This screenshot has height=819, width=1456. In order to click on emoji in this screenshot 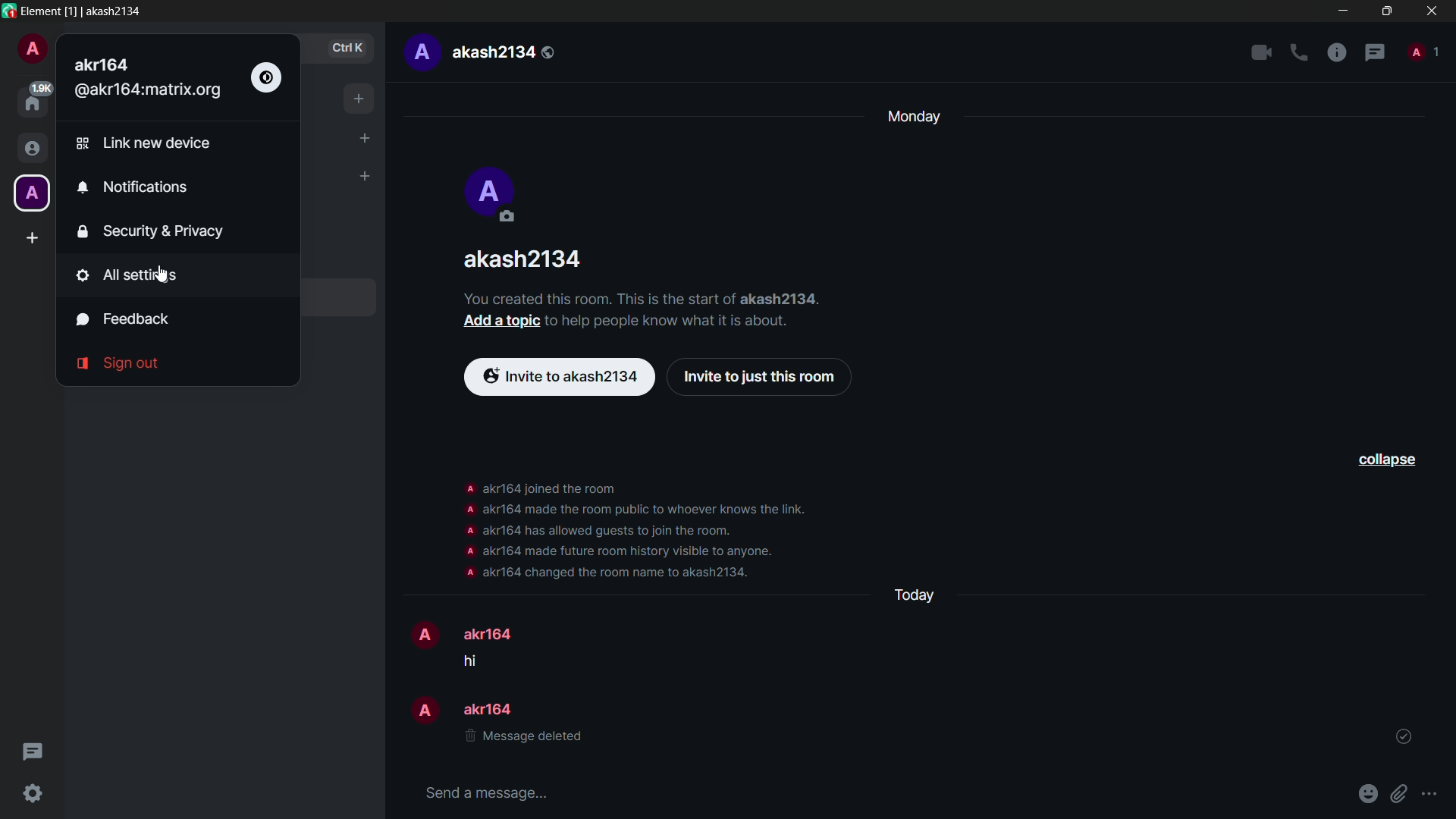, I will do `click(1370, 792)`.